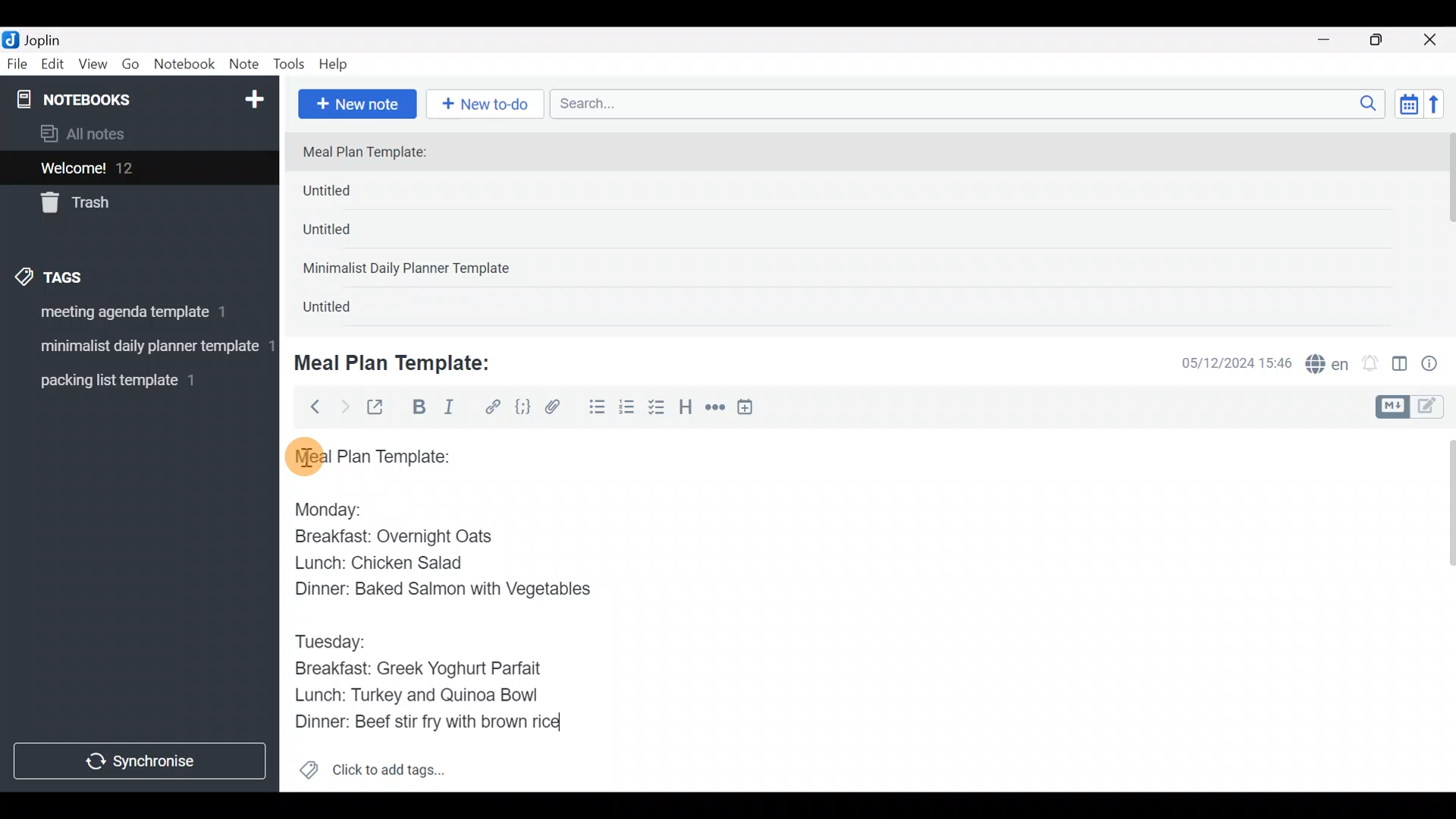 The image size is (1456, 819). I want to click on Forward, so click(344, 406).